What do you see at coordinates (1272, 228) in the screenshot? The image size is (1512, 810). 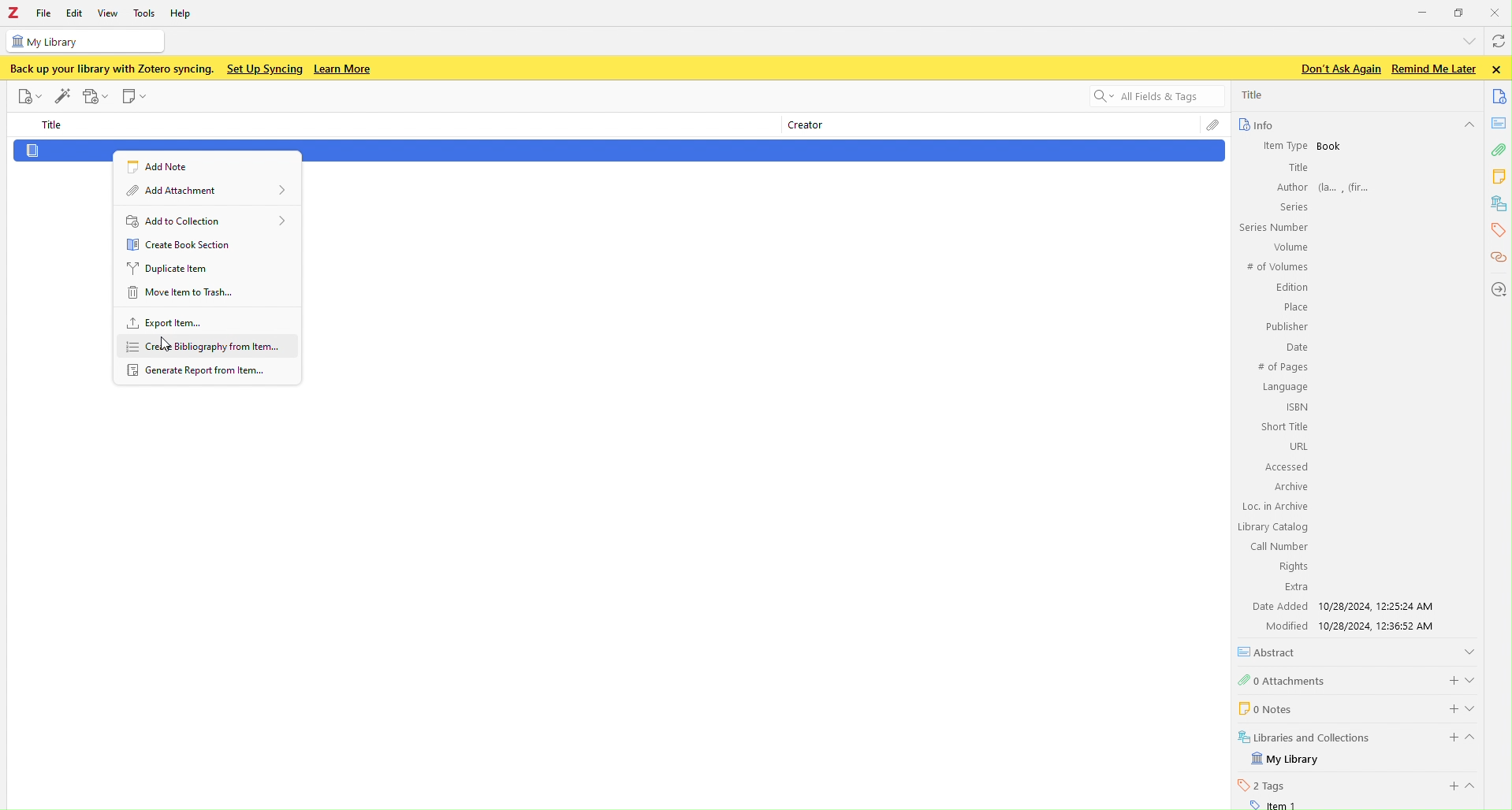 I see `Series Number` at bounding box center [1272, 228].